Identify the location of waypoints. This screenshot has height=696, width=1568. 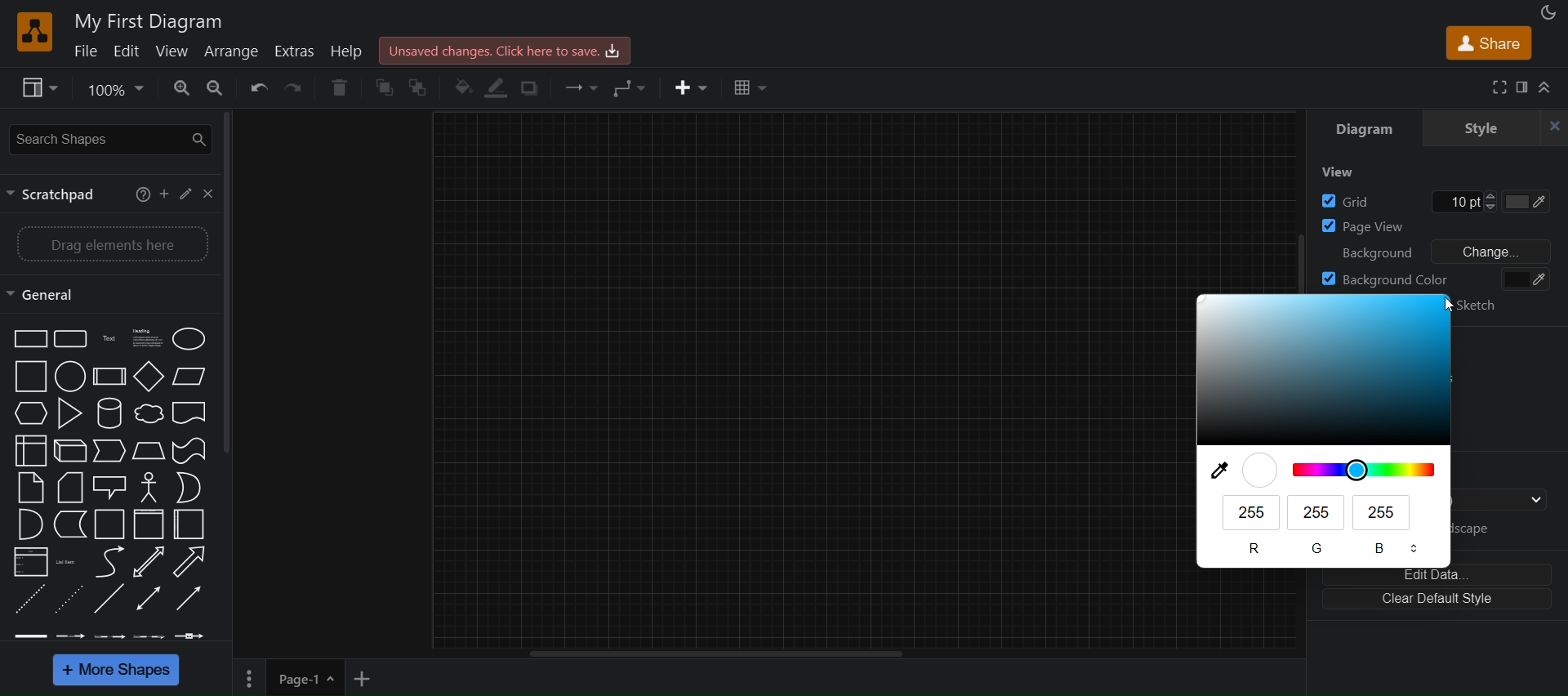
(630, 89).